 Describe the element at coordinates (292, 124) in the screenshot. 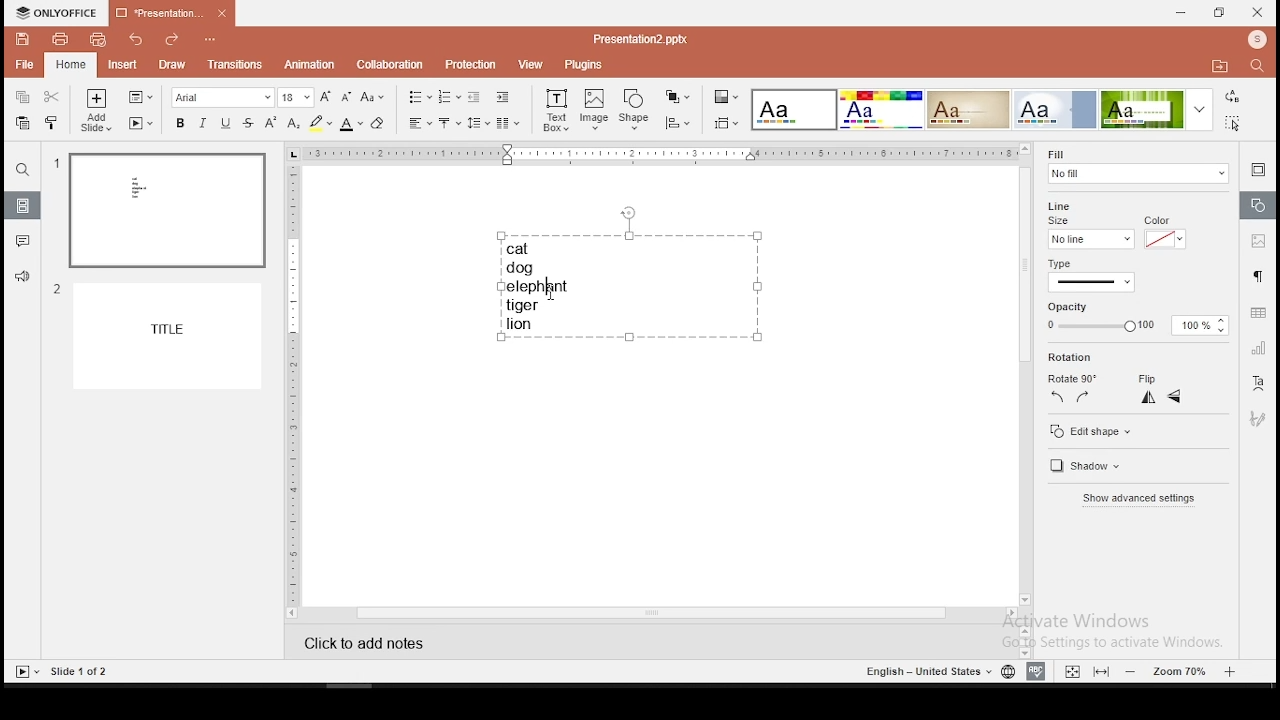

I see `subscript` at that location.